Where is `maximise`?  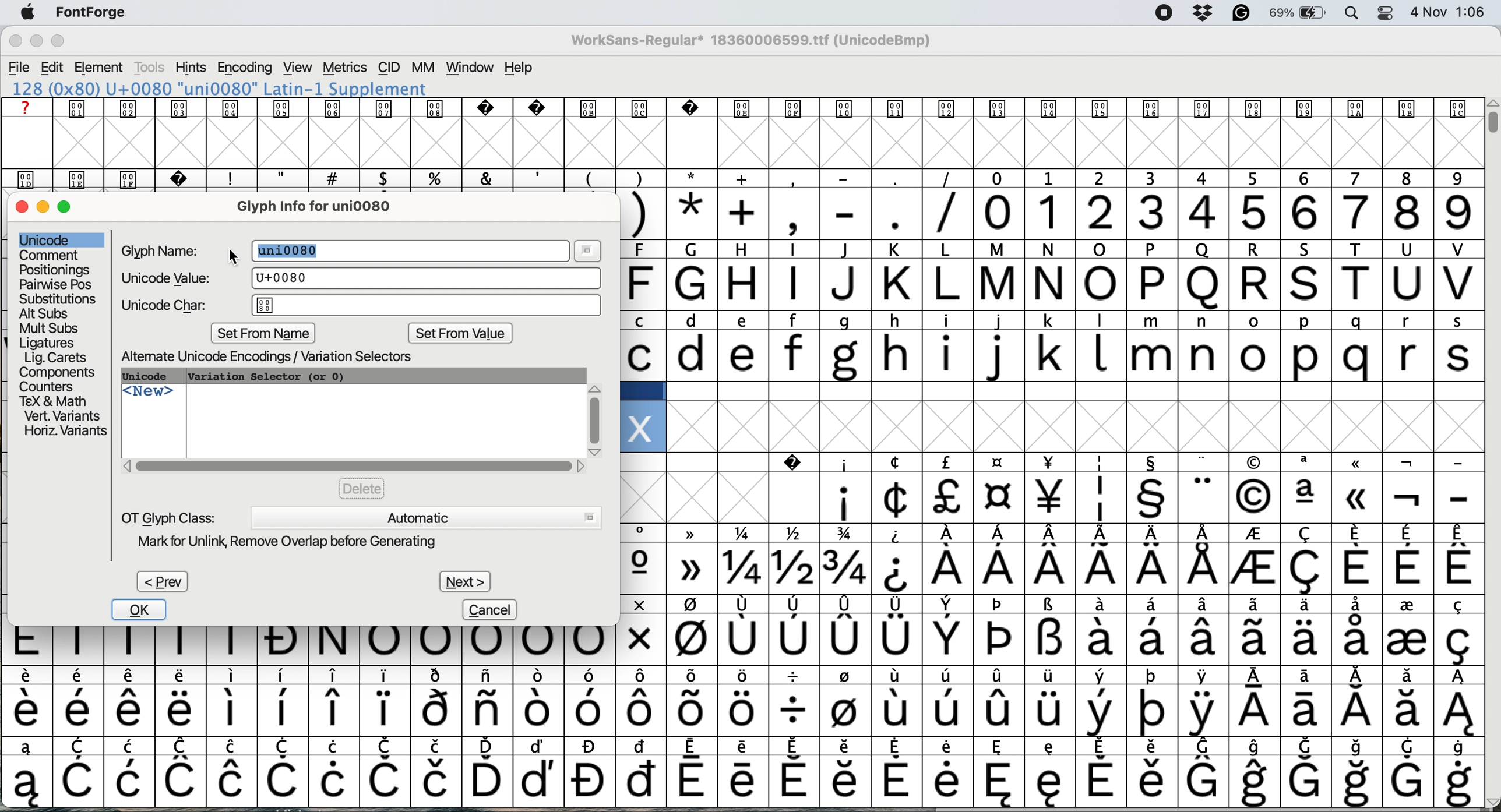 maximise is located at coordinates (65, 43).